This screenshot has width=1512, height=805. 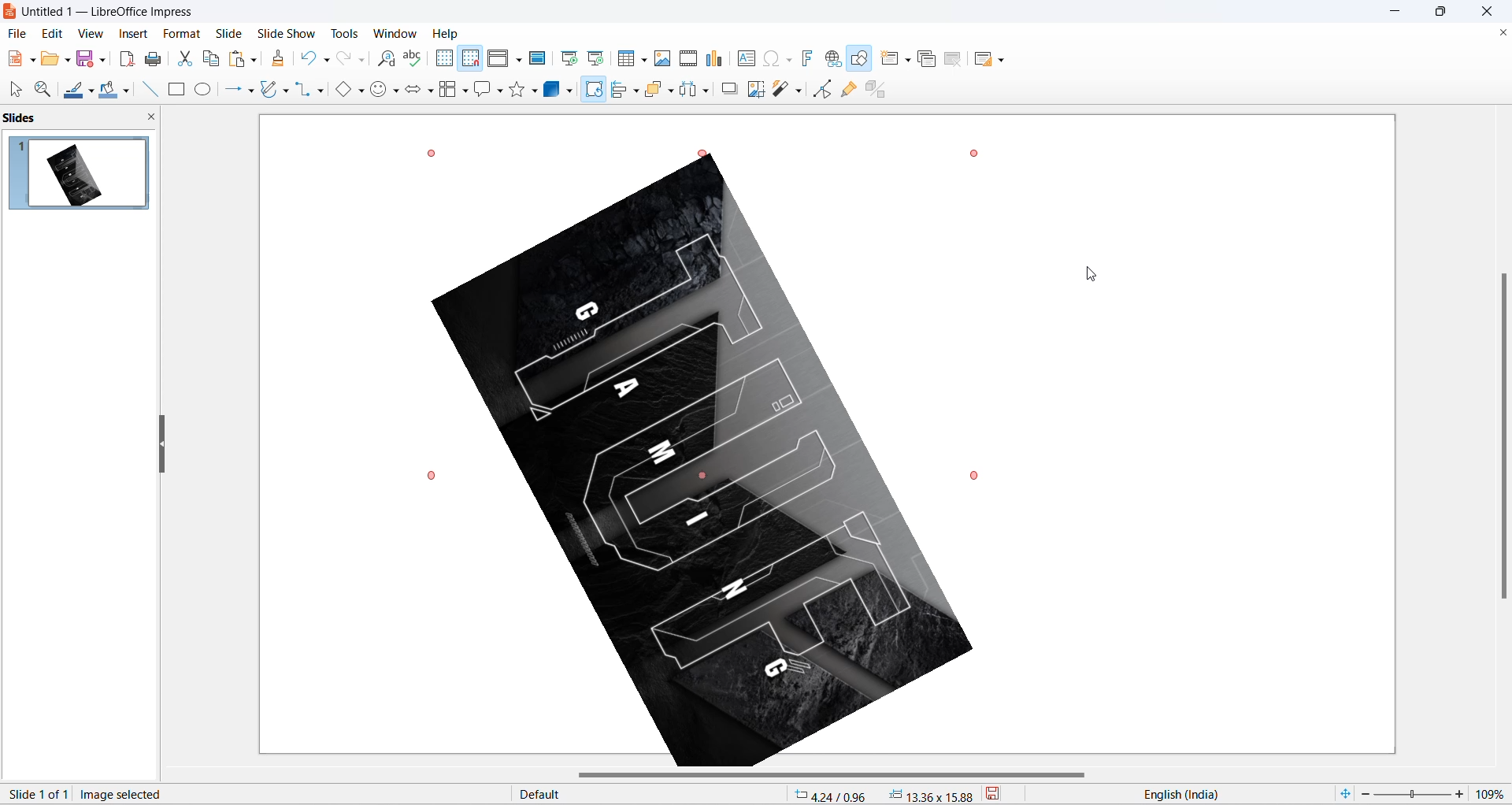 What do you see at coordinates (470, 60) in the screenshot?
I see `snap to grid` at bounding box center [470, 60].